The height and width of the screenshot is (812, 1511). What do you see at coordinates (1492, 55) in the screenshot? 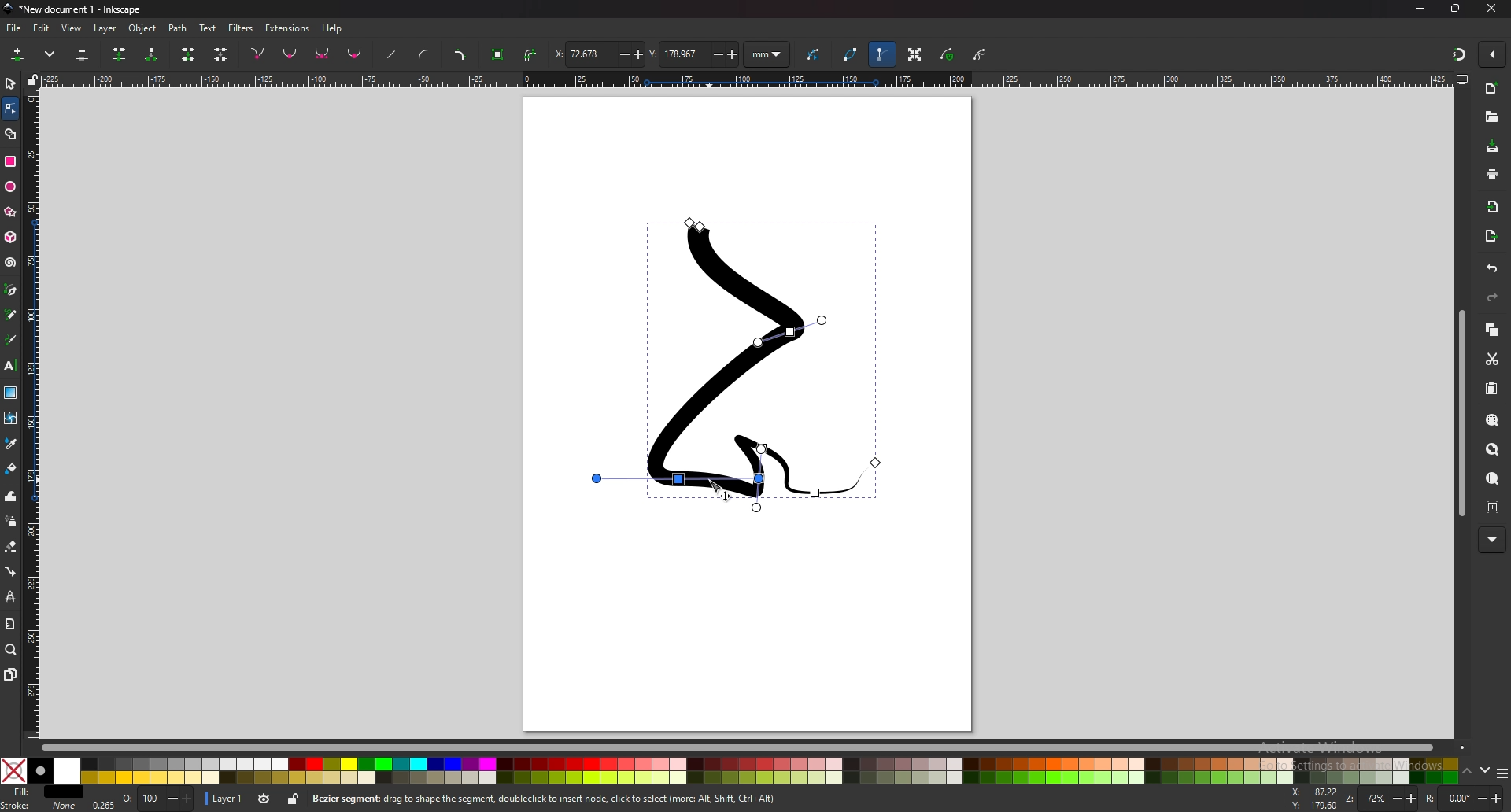
I see `enable snapper` at bounding box center [1492, 55].